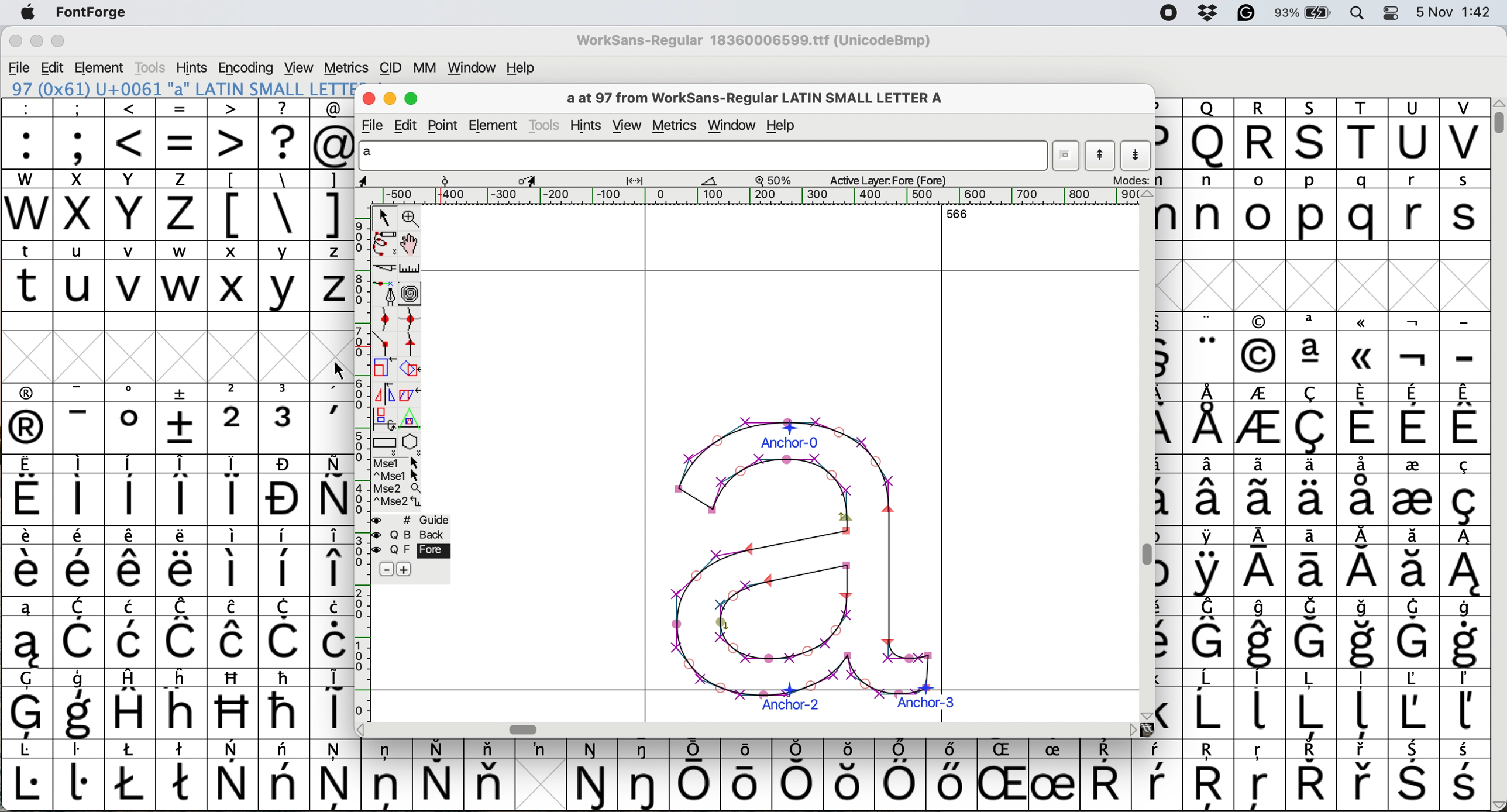 The width and height of the screenshot is (1507, 812). Describe the element at coordinates (369, 99) in the screenshot. I see `close` at that location.